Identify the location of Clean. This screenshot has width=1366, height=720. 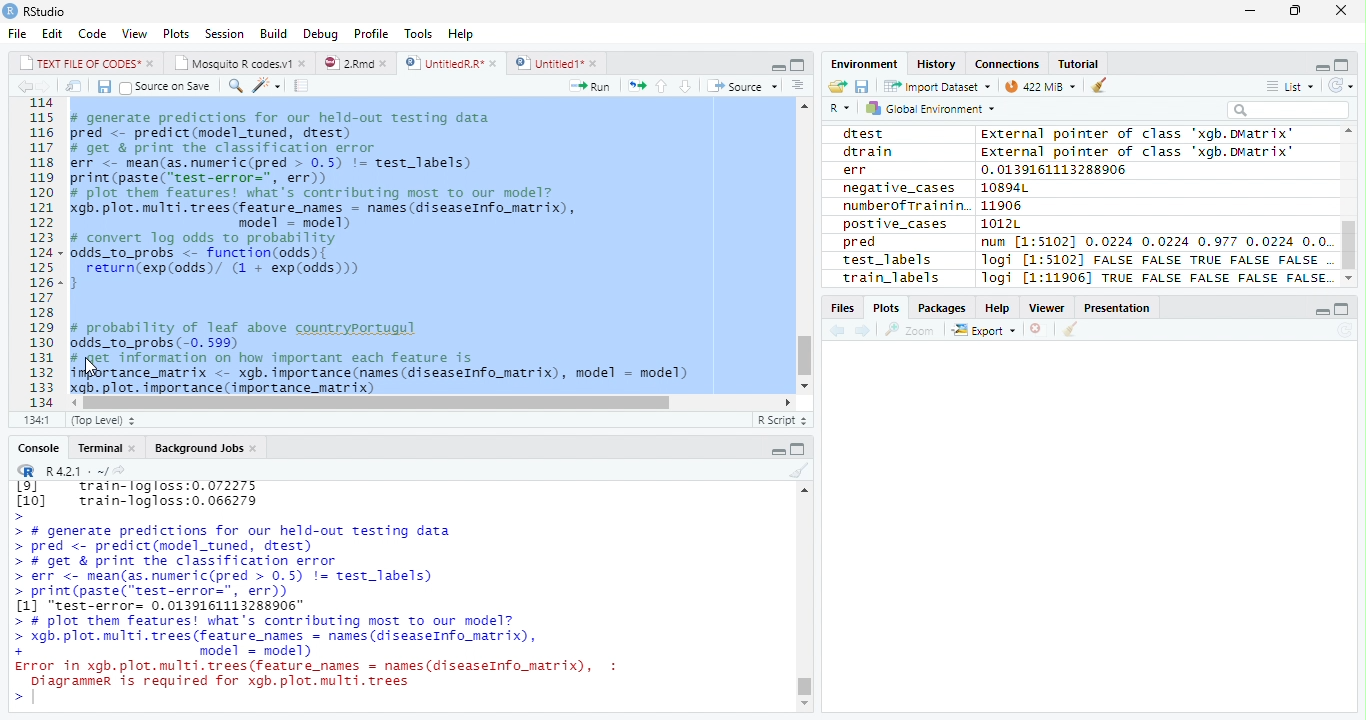
(1092, 86).